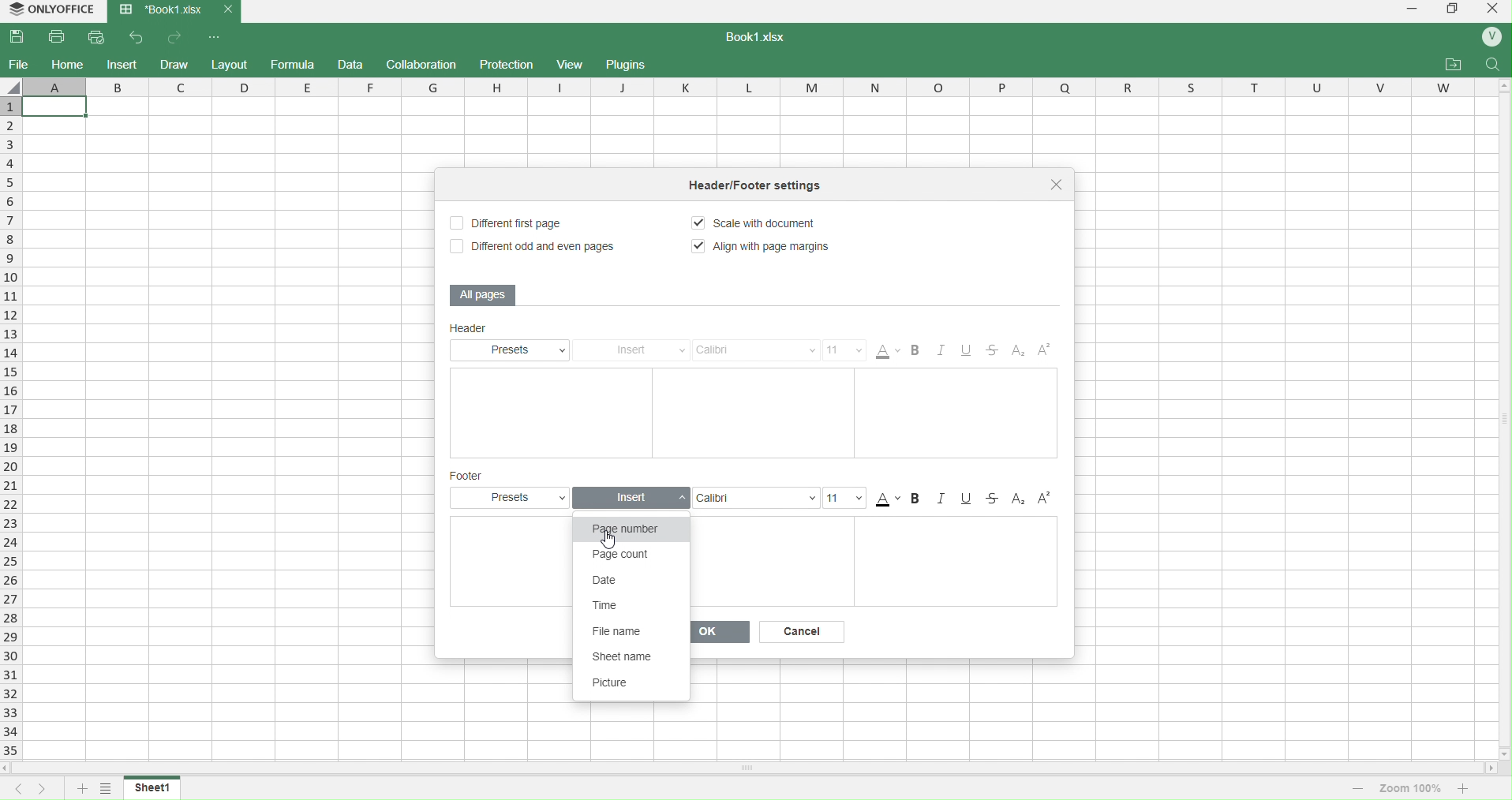  Describe the element at coordinates (1019, 499) in the screenshot. I see `SubScript` at that location.